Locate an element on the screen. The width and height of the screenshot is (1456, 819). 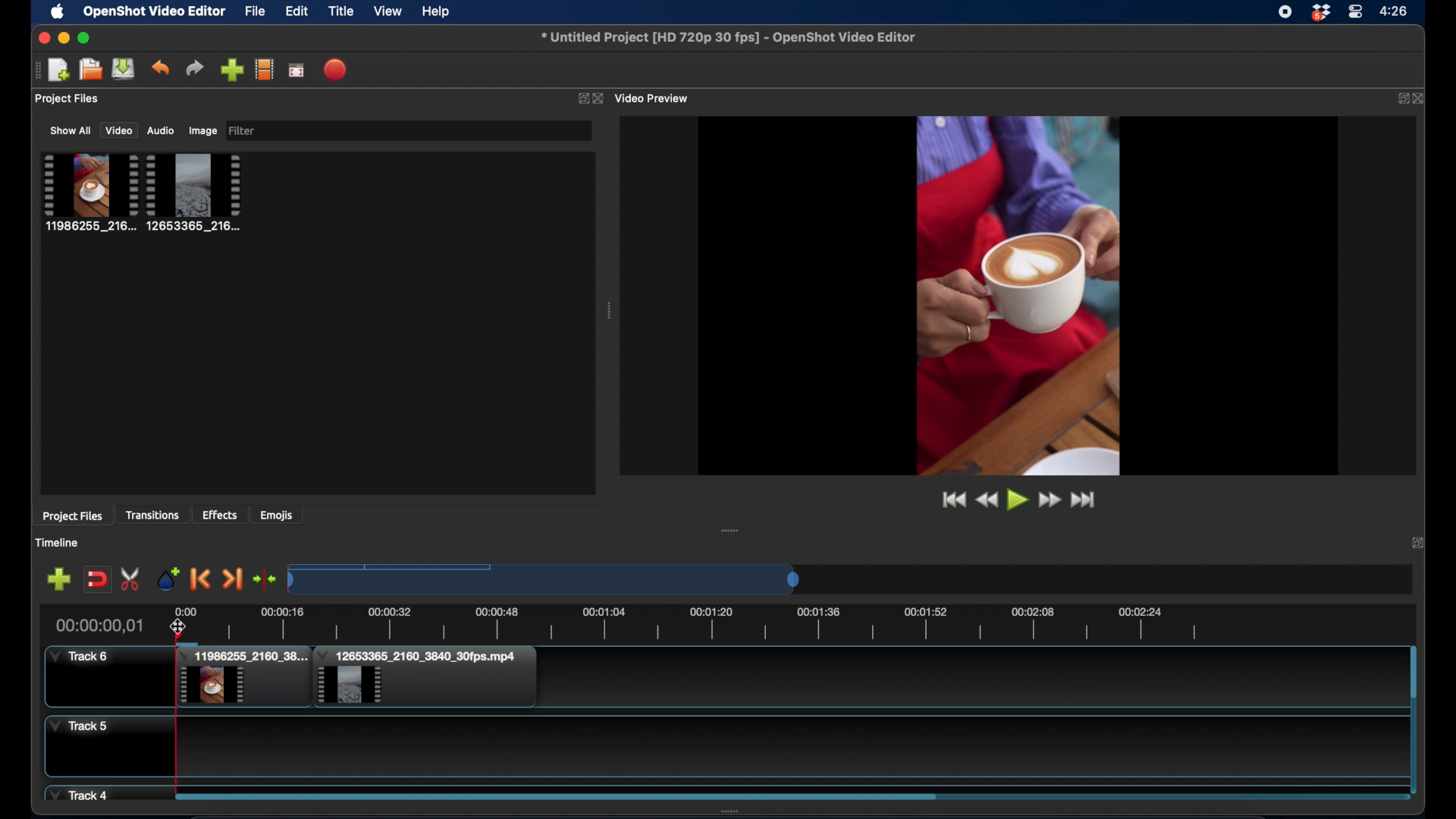
openshot video editor is located at coordinates (155, 12).